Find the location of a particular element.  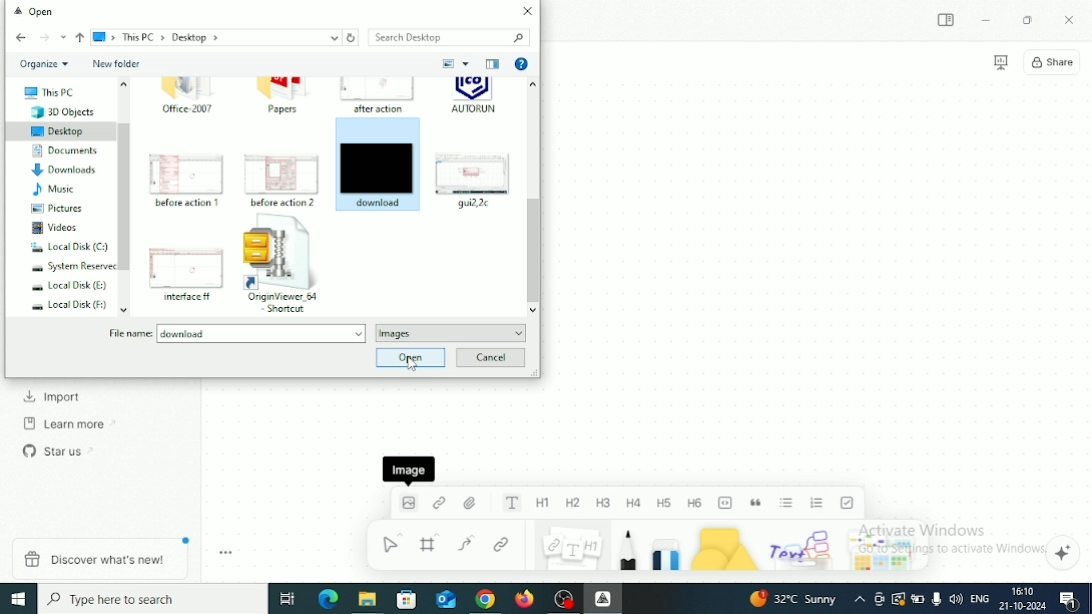

Microsoft Edge is located at coordinates (326, 600).